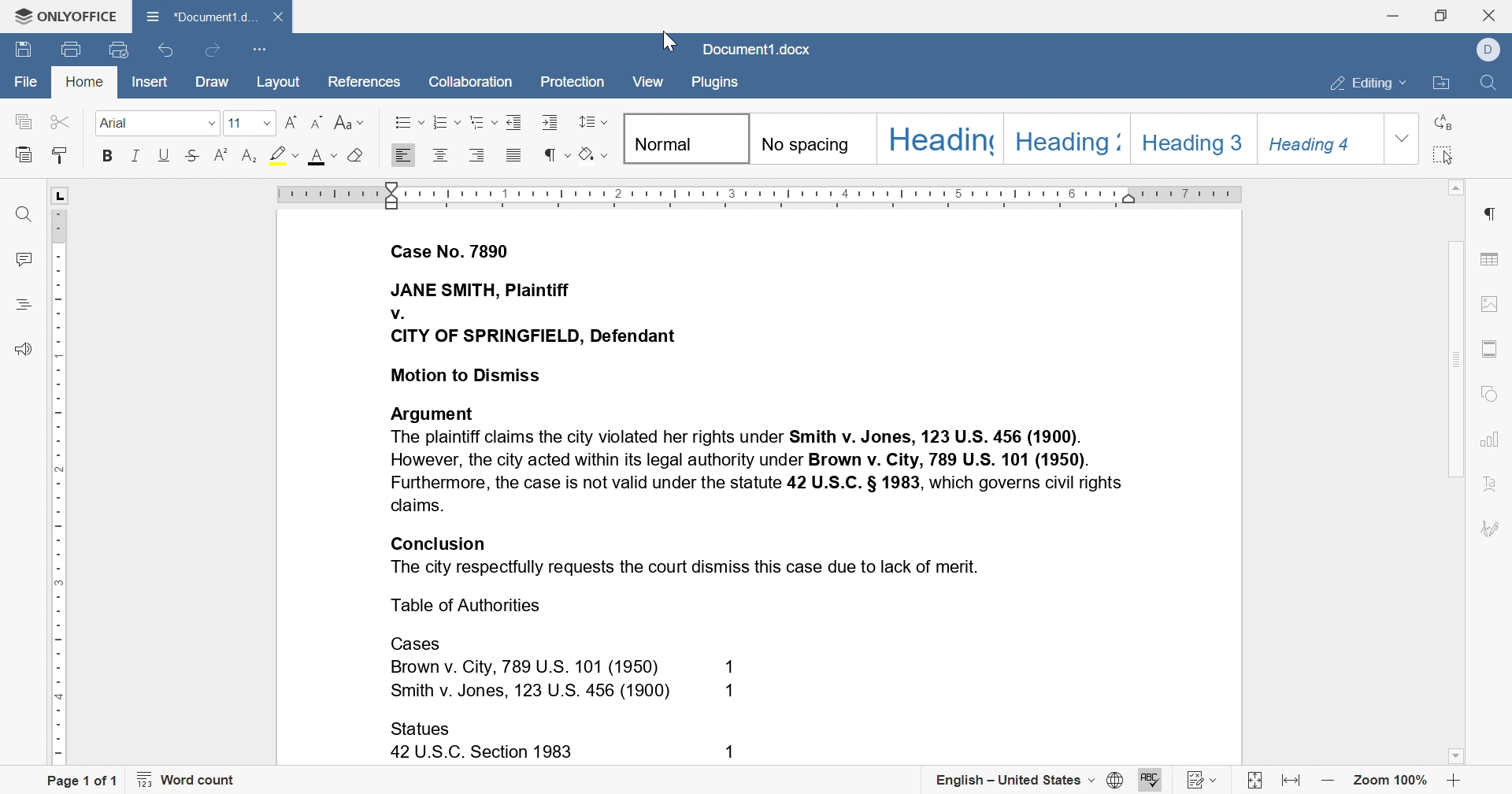  Describe the element at coordinates (23, 79) in the screenshot. I see `file` at that location.